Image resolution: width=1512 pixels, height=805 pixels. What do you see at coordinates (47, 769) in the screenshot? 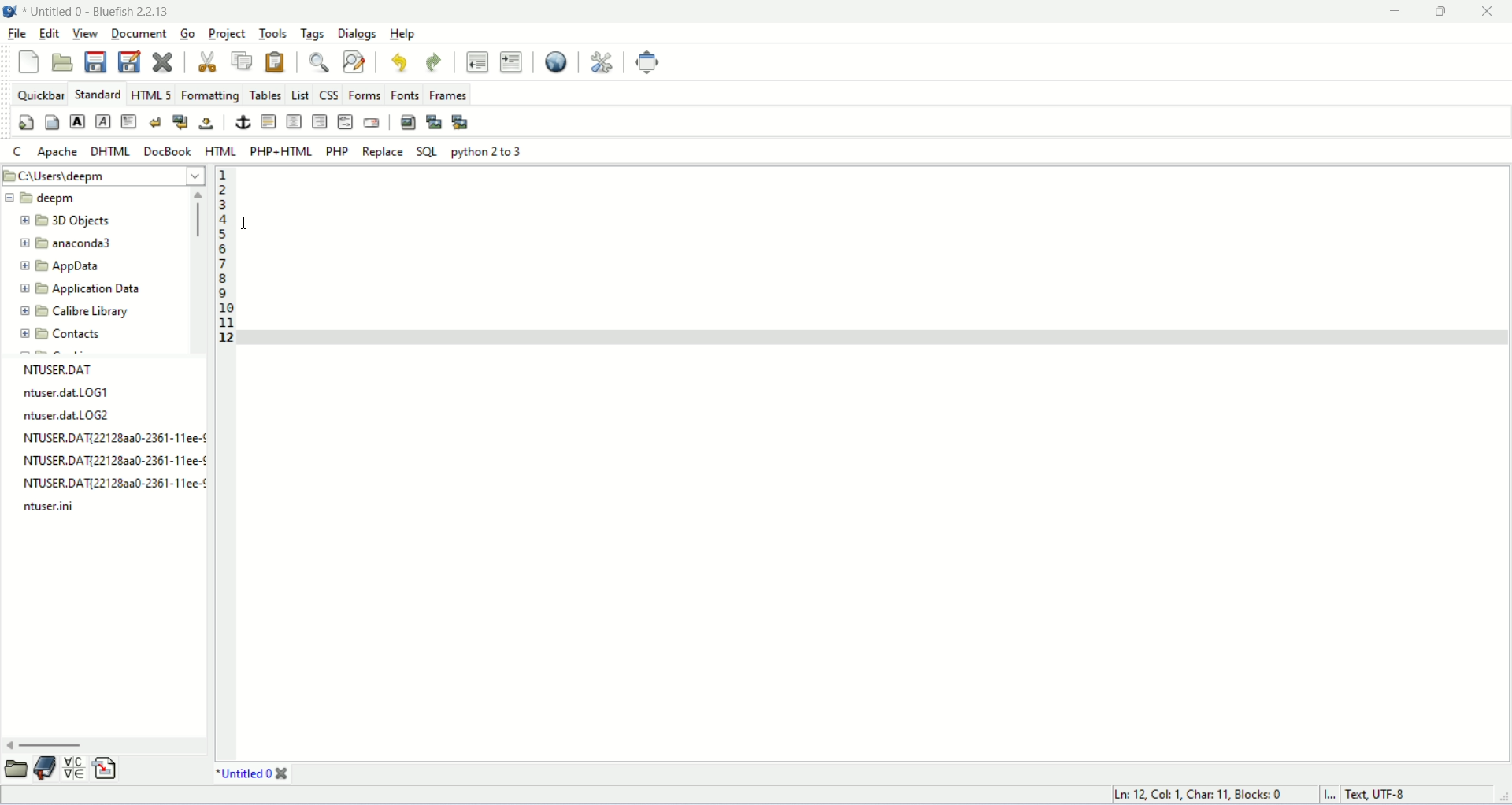
I see `bookmarks` at bounding box center [47, 769].